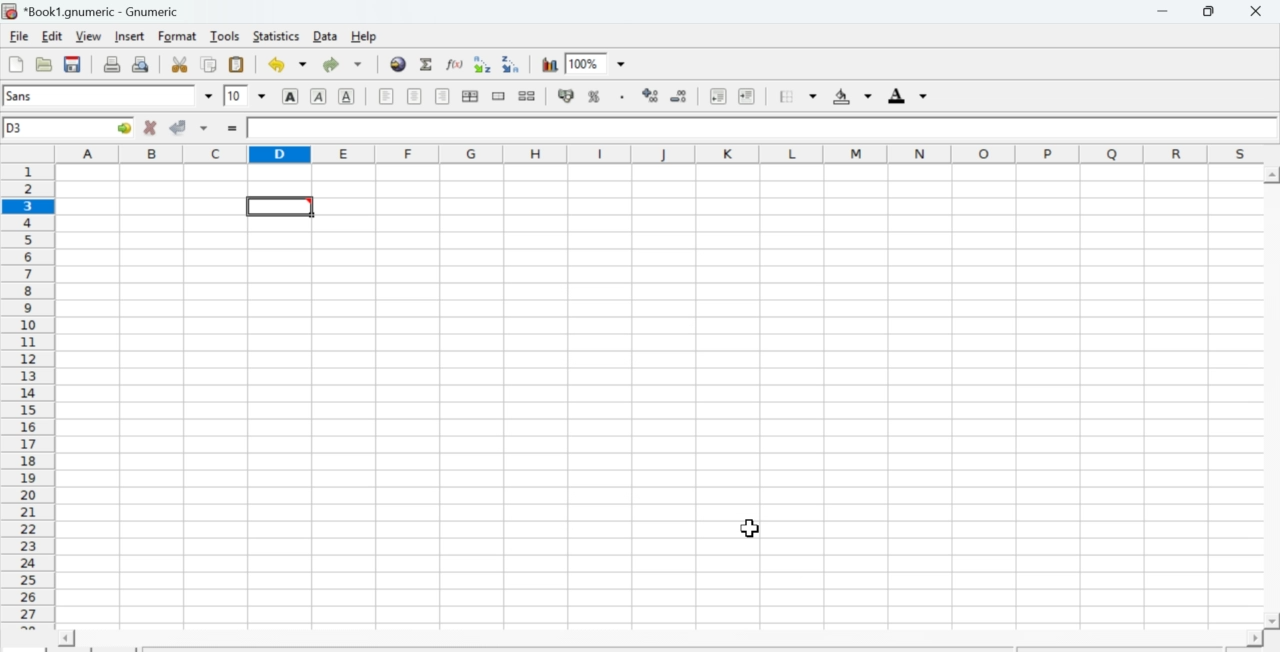  I want to click on Graph, so click(550, 63).